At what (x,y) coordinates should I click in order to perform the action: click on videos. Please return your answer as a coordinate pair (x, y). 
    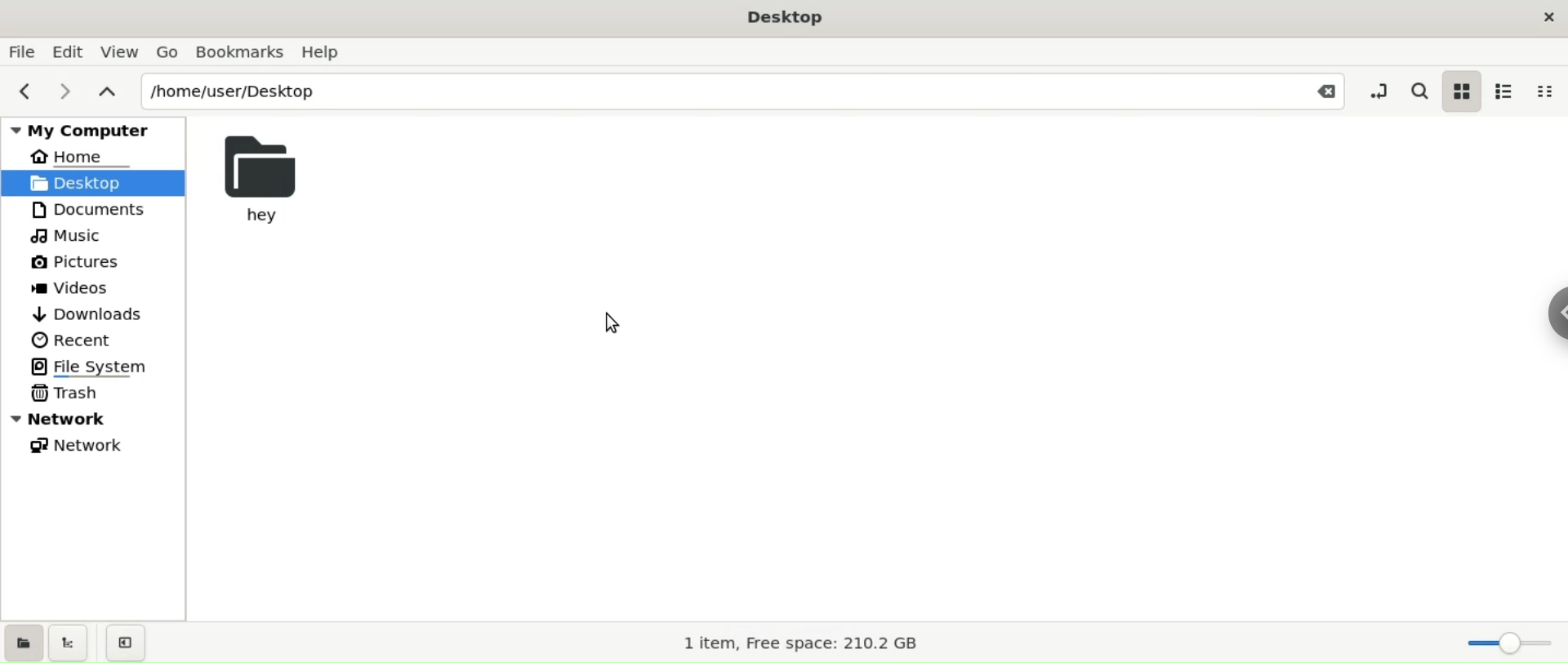
    Looking at the image, I should click on (76, 287).